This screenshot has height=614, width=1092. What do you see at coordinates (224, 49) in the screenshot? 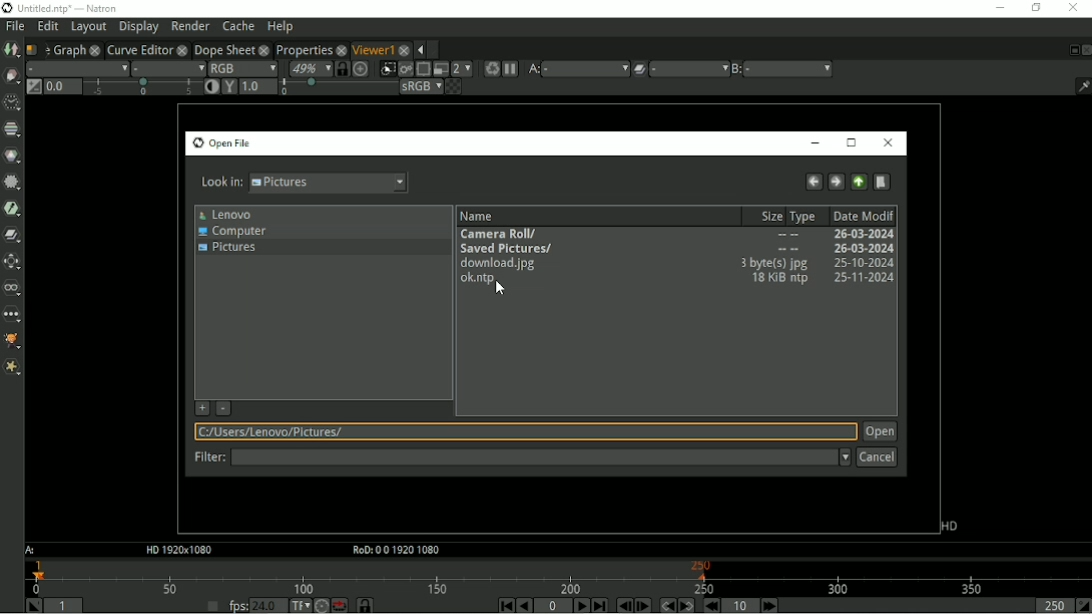
I see `Dope Sheet` at bounding box center [224, 49].